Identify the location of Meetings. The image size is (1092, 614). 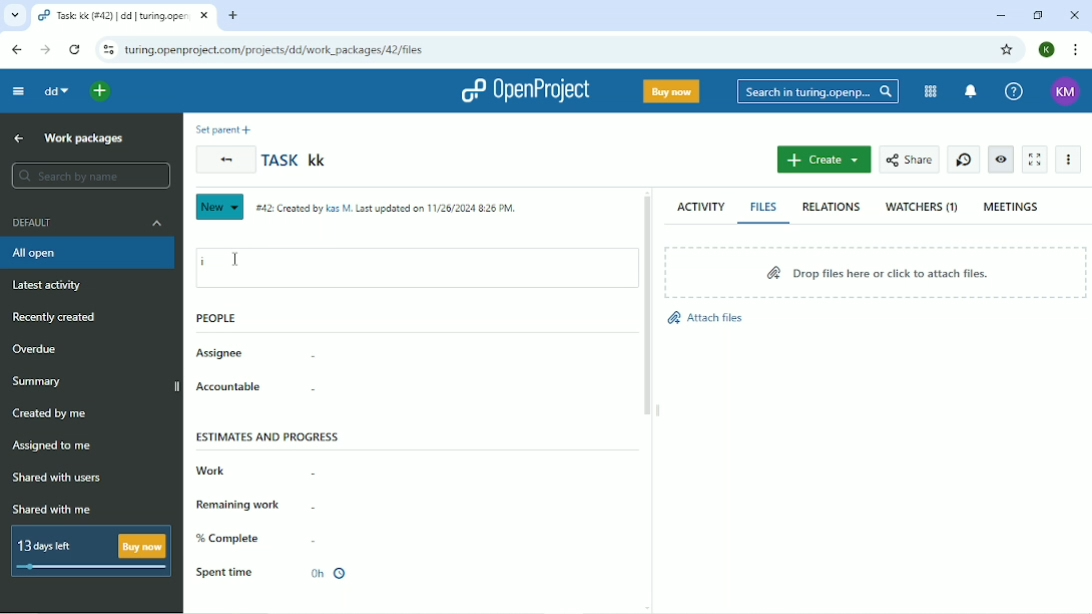
(1013, 206).